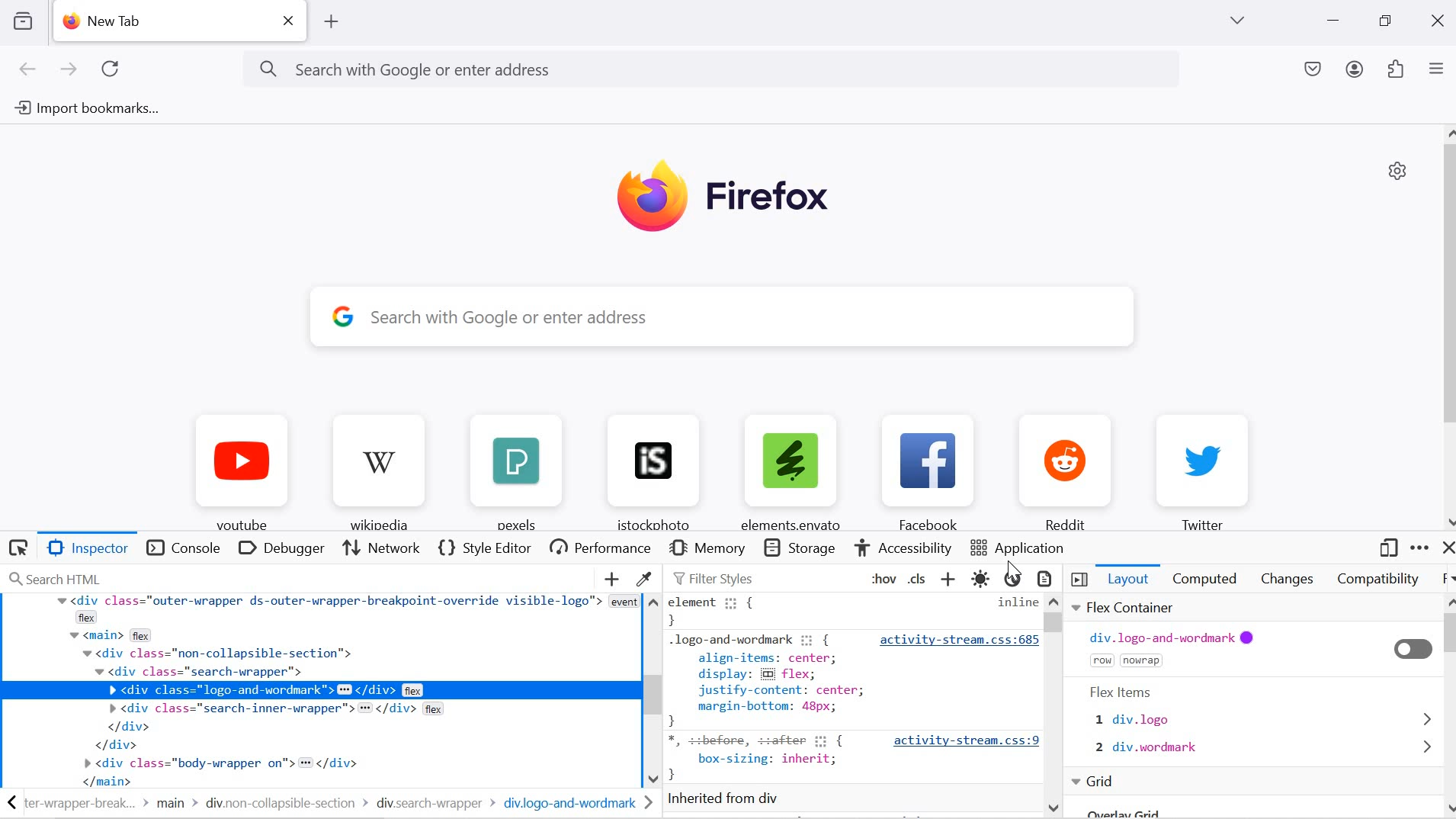  I want to click on {box-sizing: inherit,}, so click(761, 756).